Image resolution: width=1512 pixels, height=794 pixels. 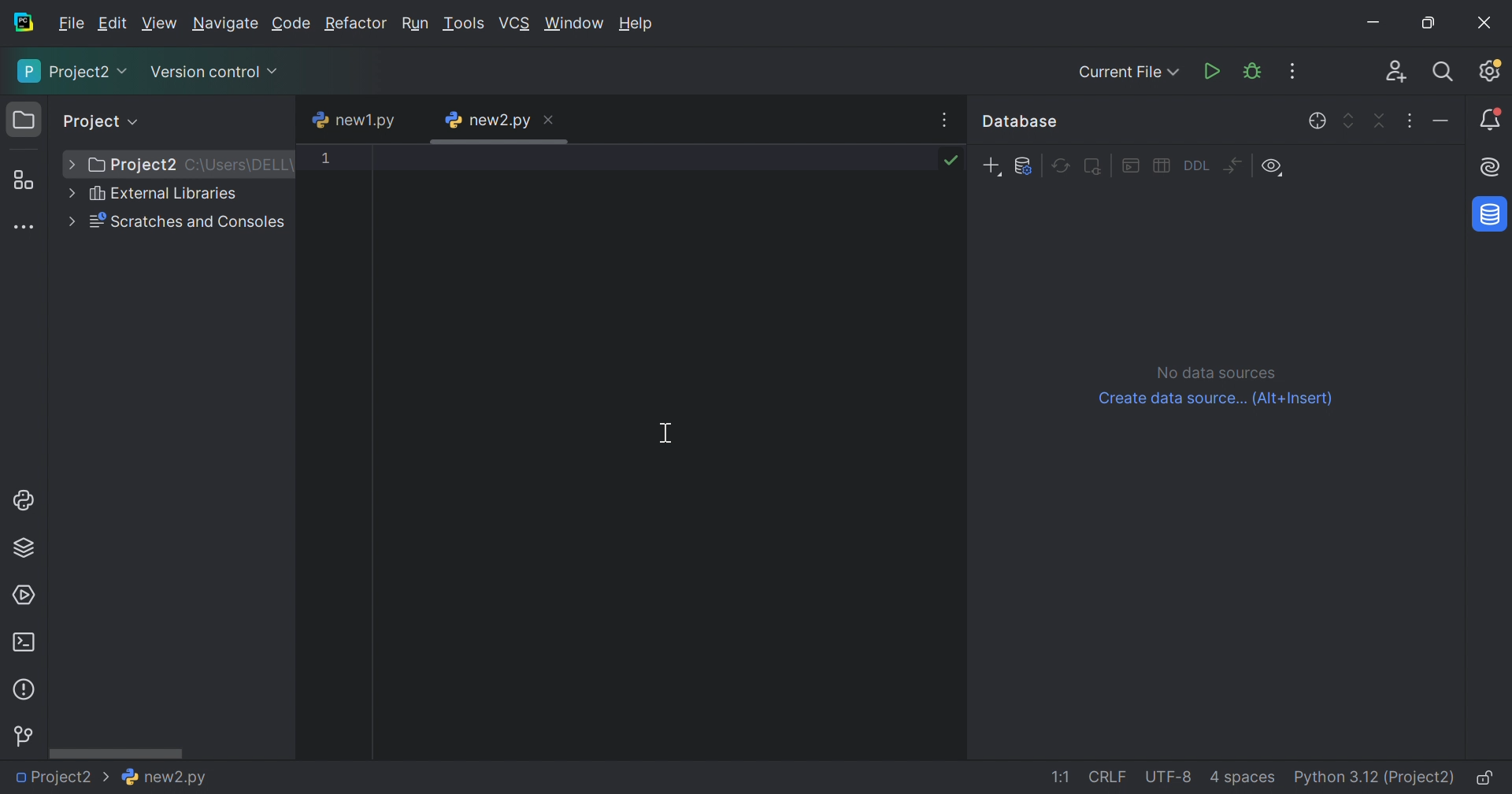 What do you see at coordinates (354, 121) in the screenshot?
I see `new1.py` at bounding box center [354, 121].